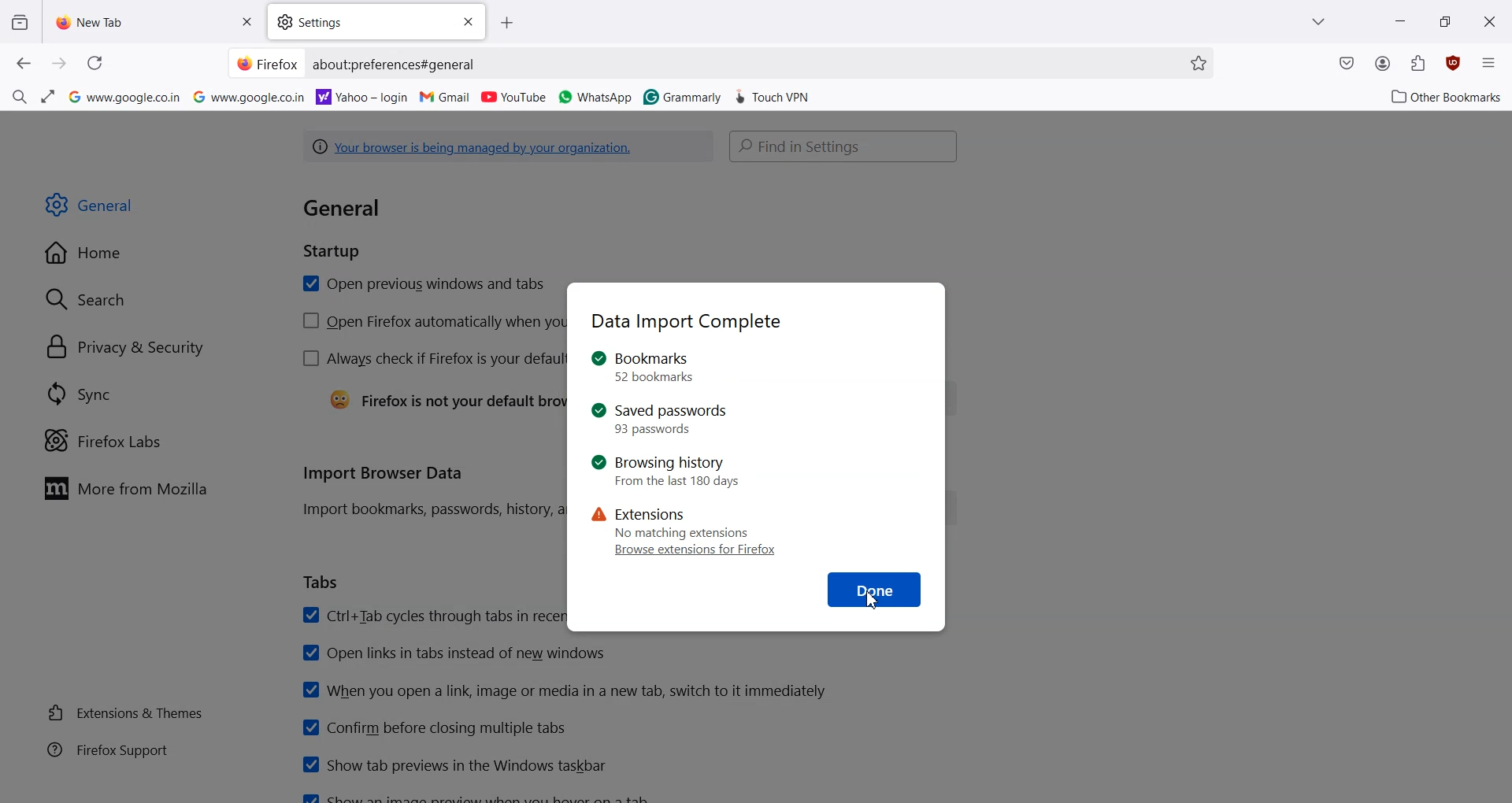 The height and width of the screenshot is (803, 1512). I want to click on Sync, so click(80, 394).